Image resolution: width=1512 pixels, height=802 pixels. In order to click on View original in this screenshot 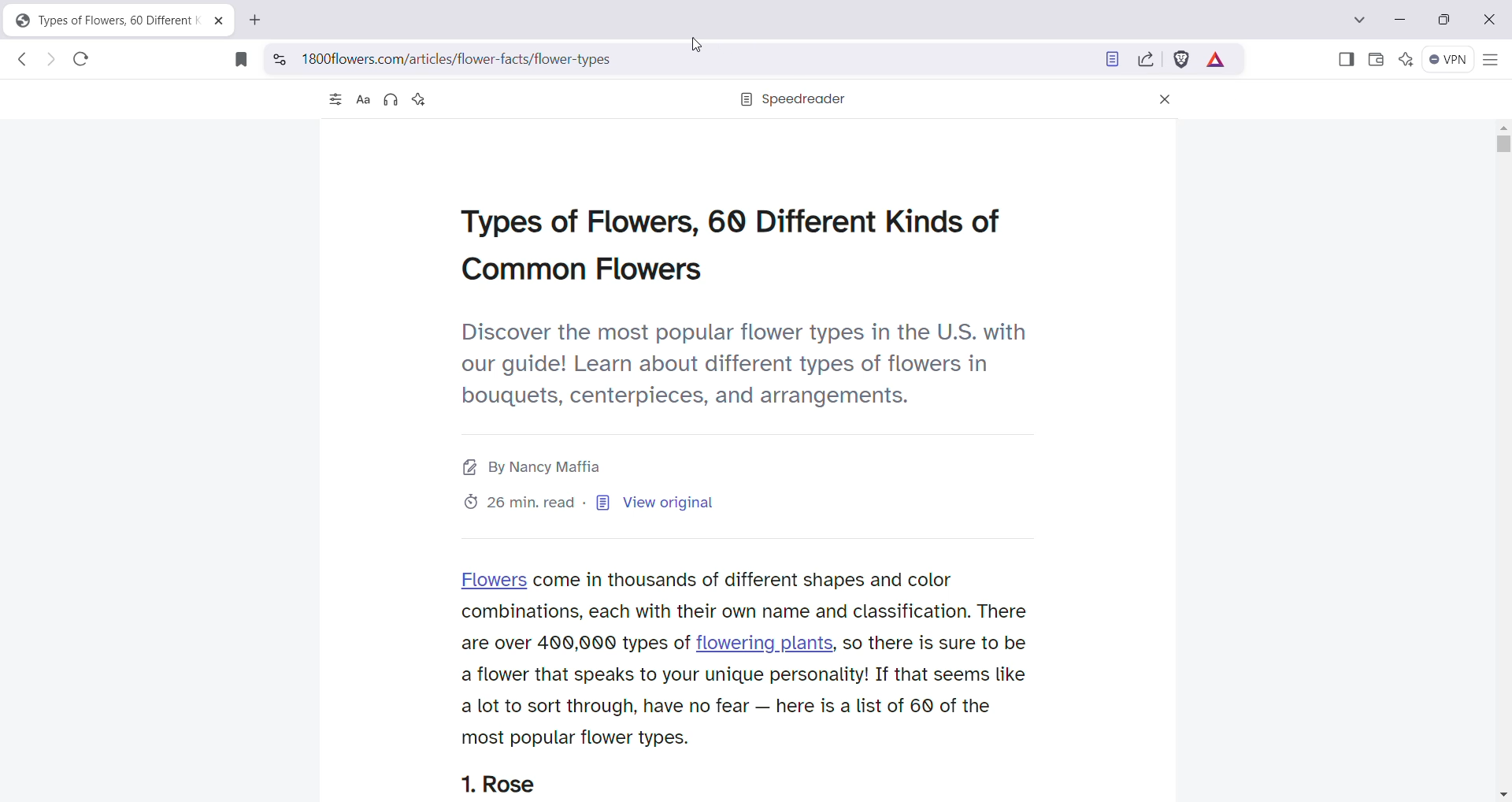, I will do `click(676, 504)`.